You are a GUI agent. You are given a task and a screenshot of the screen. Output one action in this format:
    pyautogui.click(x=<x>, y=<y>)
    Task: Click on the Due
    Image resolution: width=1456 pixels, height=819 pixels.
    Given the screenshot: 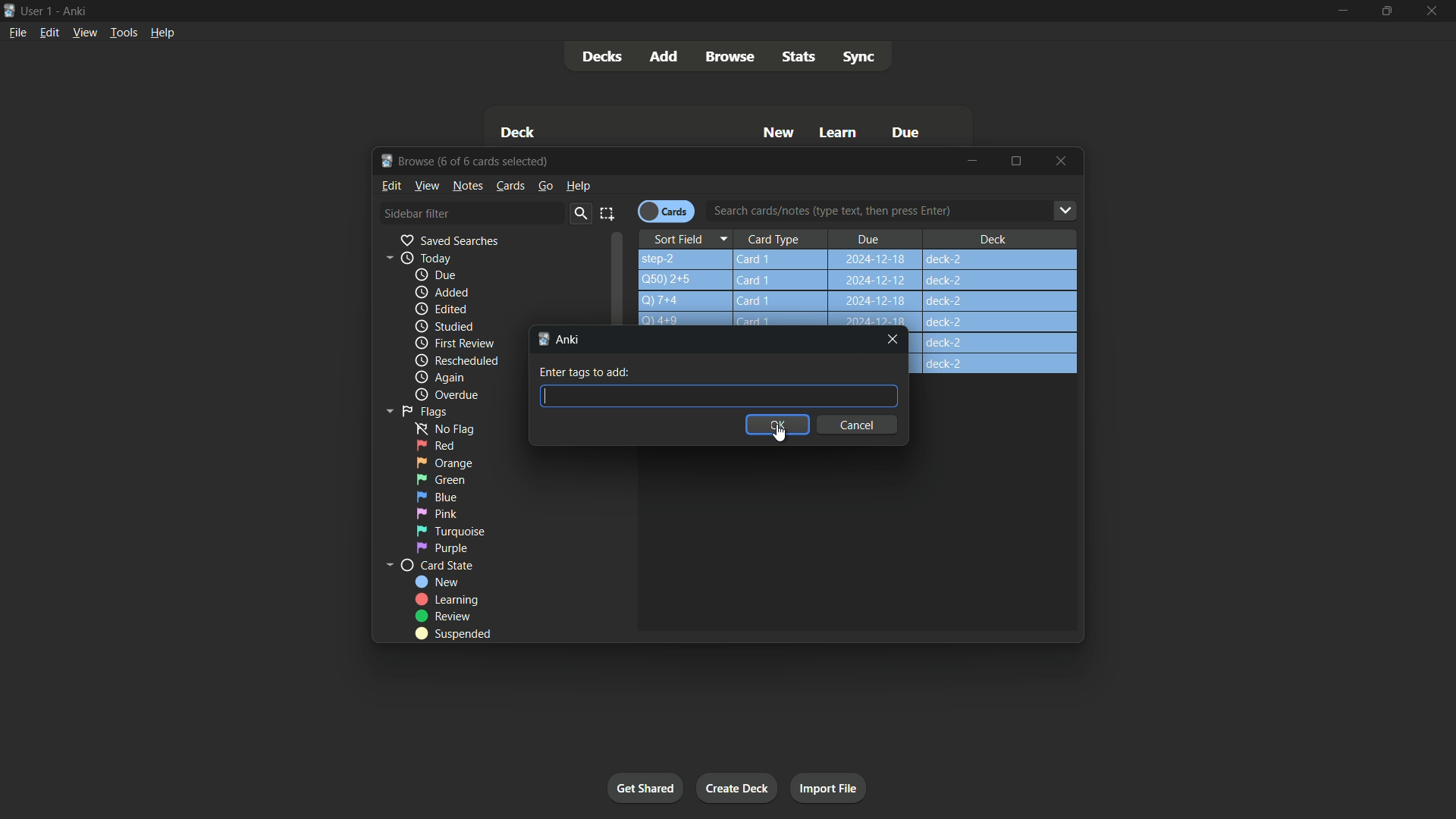 What is the action you would take?
    pyautogui.click(x=868, y=238)
    